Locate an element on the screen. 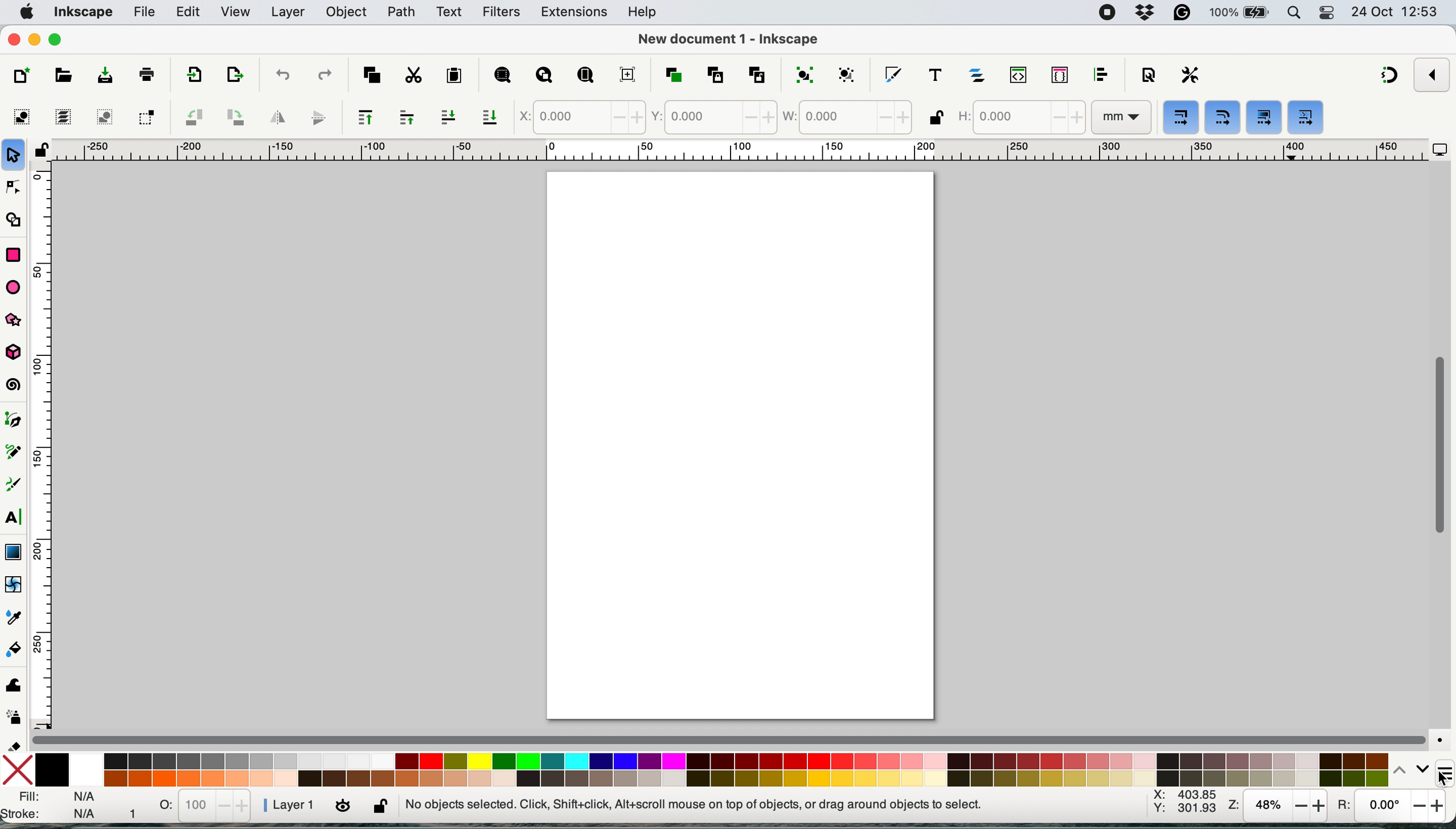 This screenshot has width=1456, height=829. display options is located at coordinates (1439, 150).